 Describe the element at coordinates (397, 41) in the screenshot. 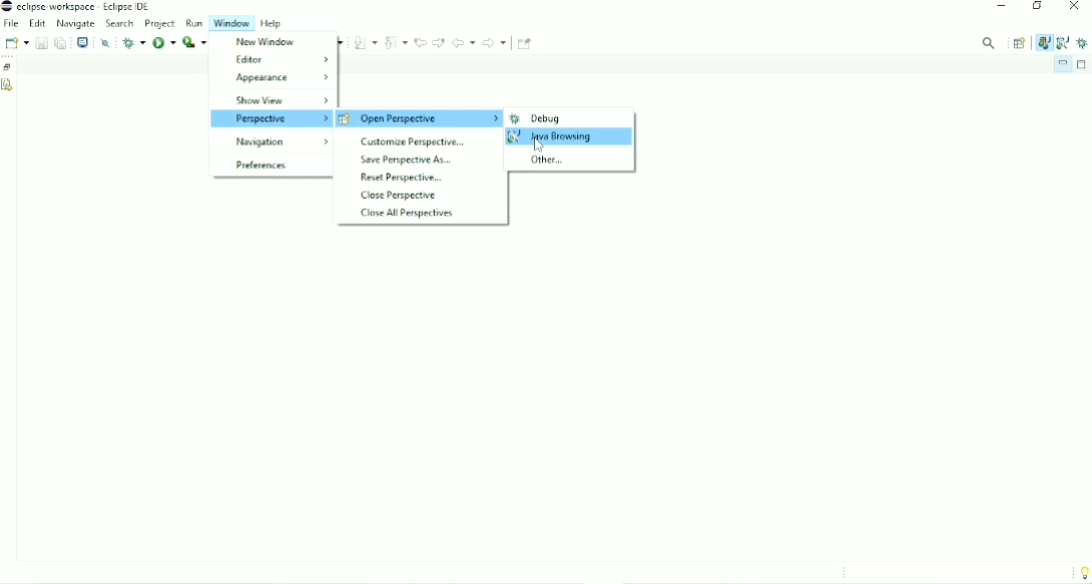

I see `Previous Annotation` at that location.